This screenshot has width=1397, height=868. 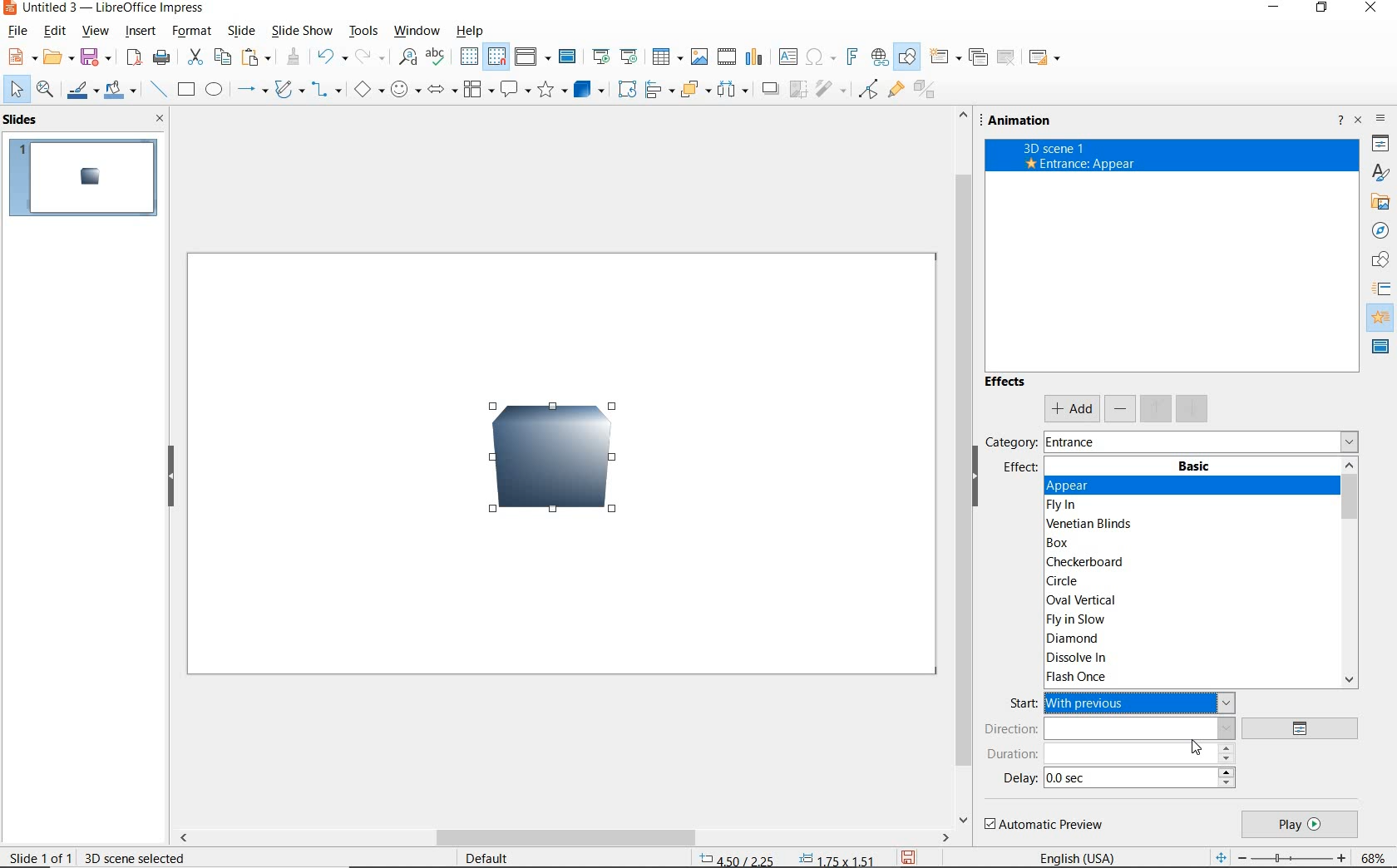 I want to click on rectangle, so click(x=187, y=91).